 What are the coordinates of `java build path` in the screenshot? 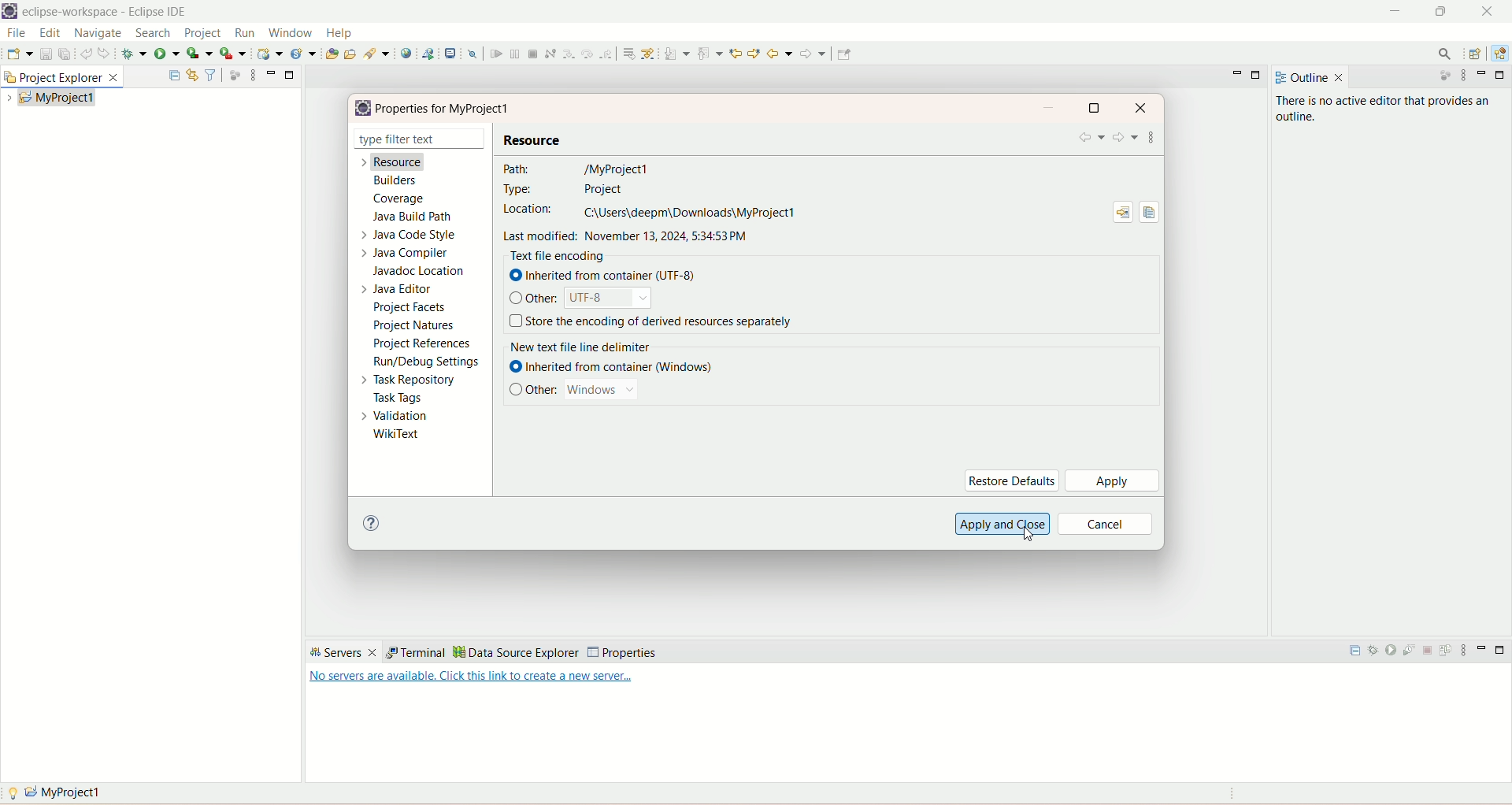 It's located at (415, 218).